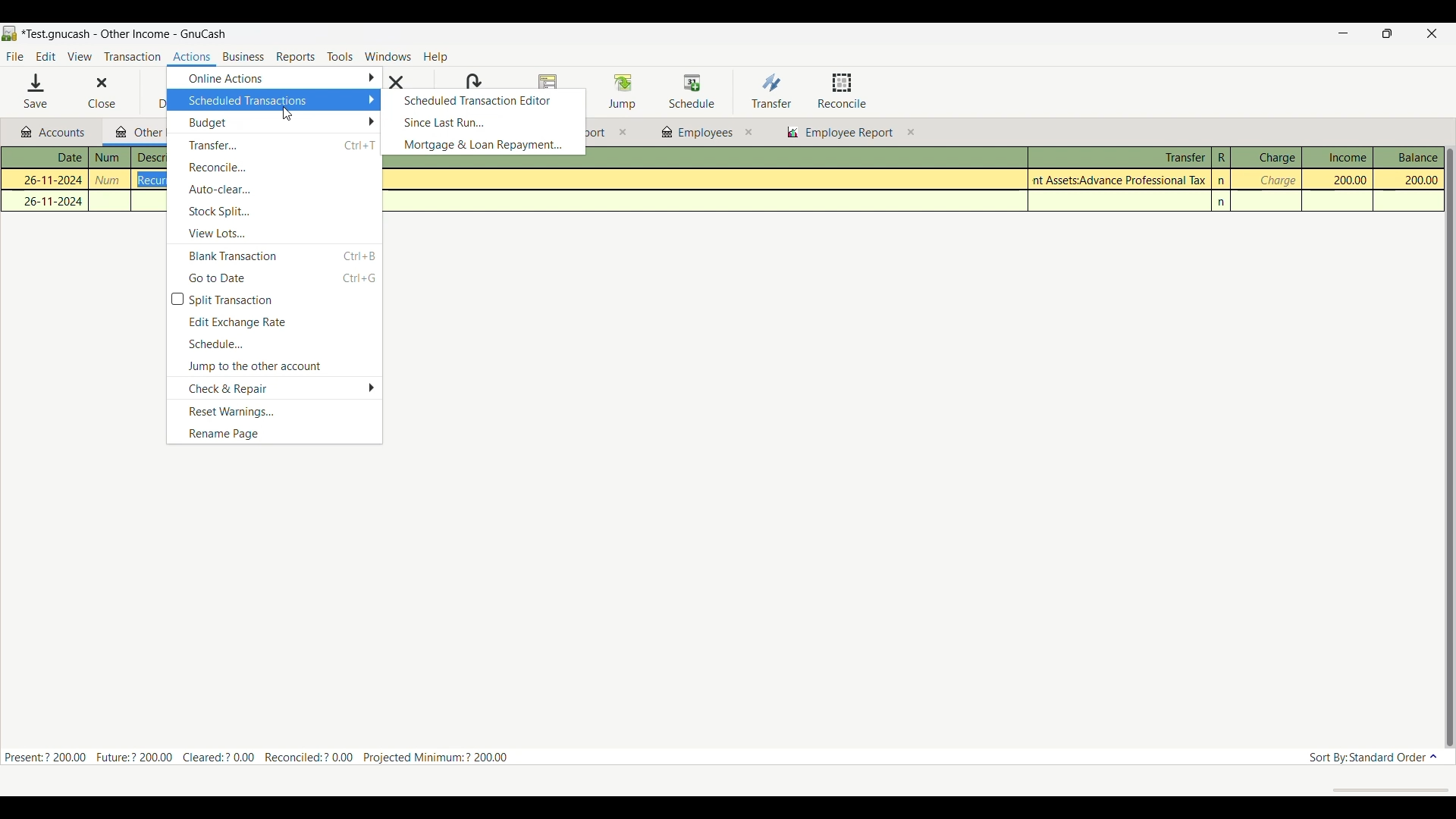 Image resolution: width=1456 pixels, height=819 pixels. I want to click on Toggle for split transaction, so click(275, 300).